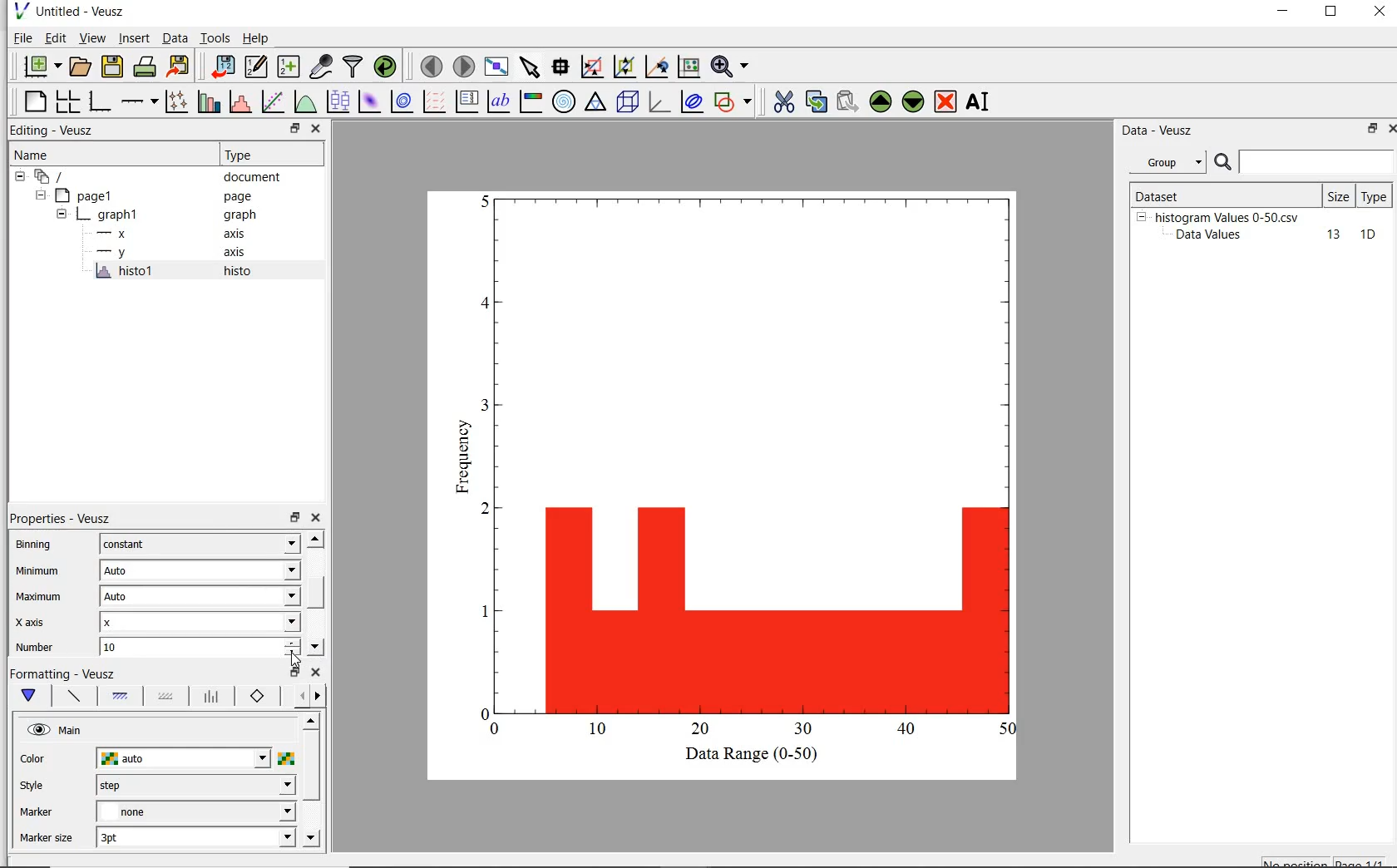 This screenshot has width=1397, height=868. I want to click on plot 2d dataset as contours, so click(402, 101).